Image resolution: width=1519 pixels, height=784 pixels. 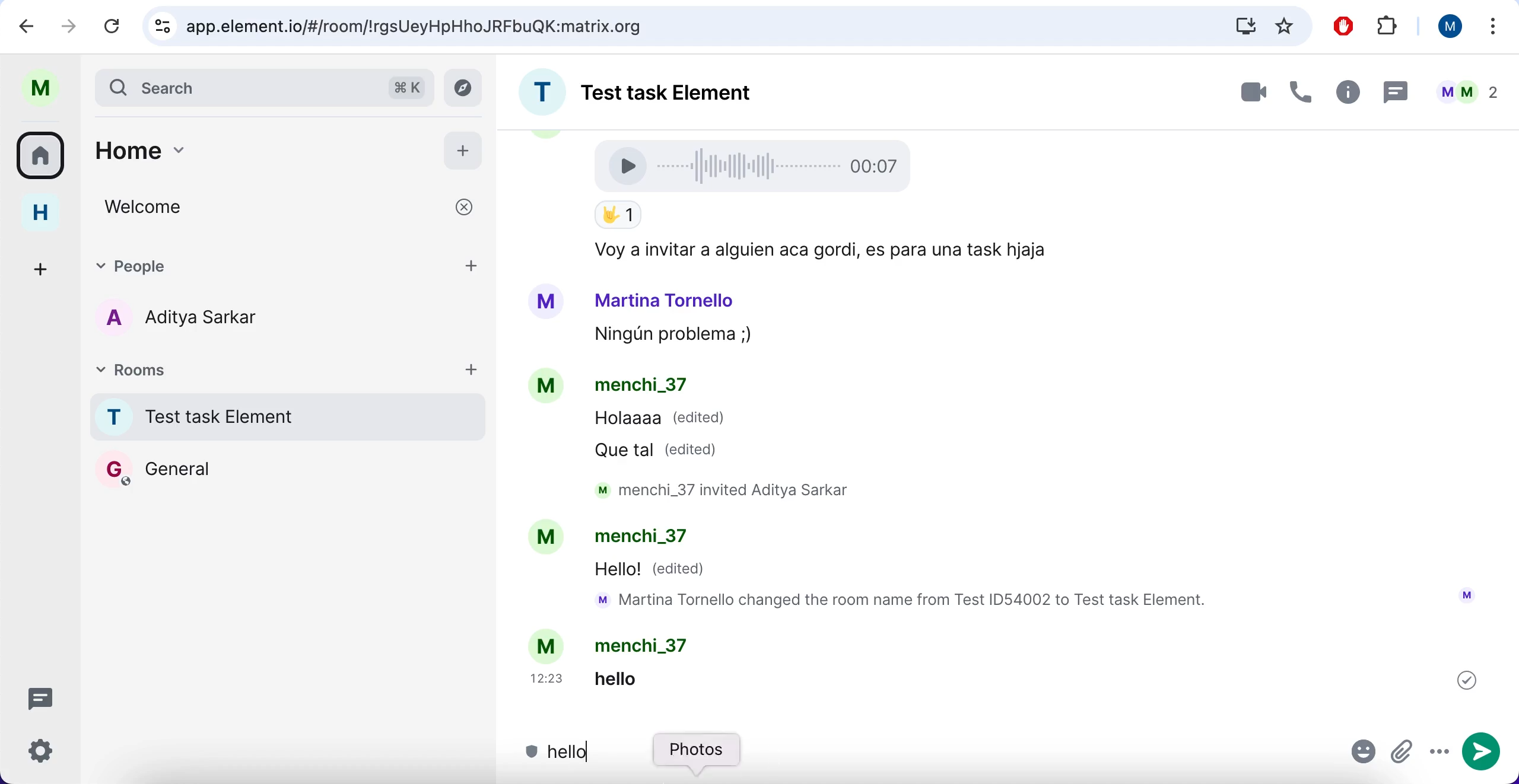 What do you see at coordinates (284, 416) in the screenshot?
I see `room name` at bounding box center [284, 416].